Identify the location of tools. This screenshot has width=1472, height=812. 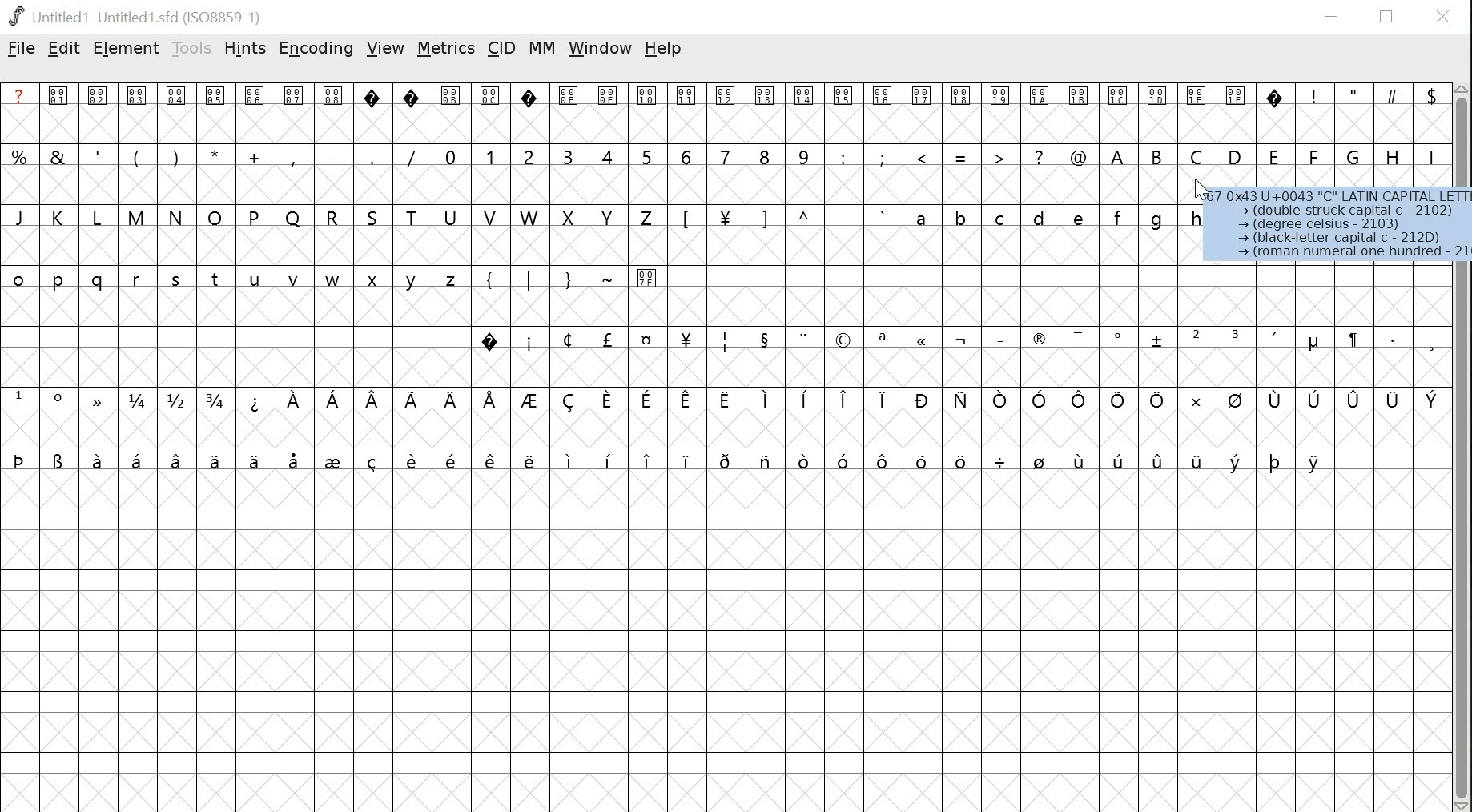
(191, 50).